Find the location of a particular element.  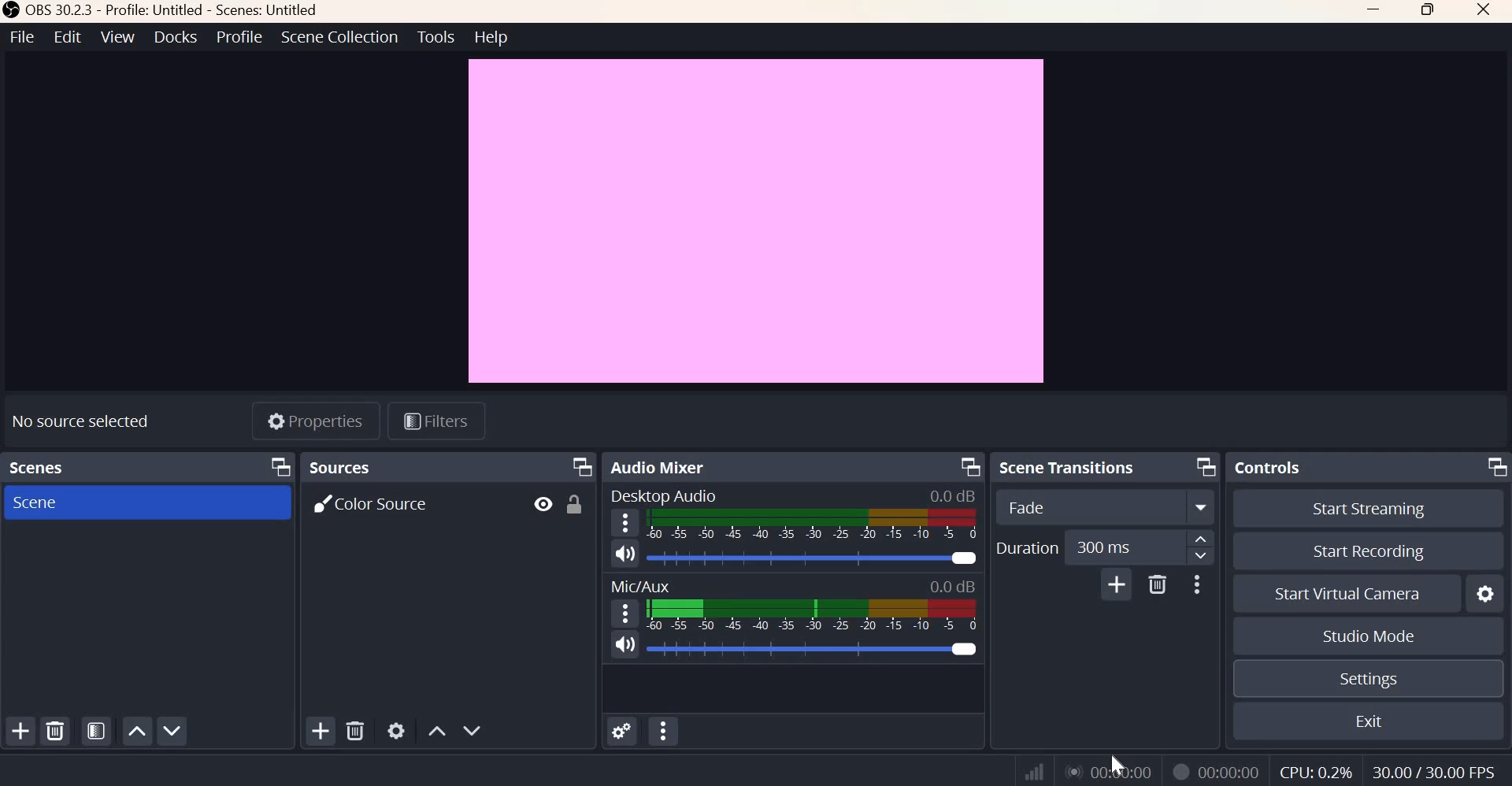

Start recording is located at coordinates (1369, 550).